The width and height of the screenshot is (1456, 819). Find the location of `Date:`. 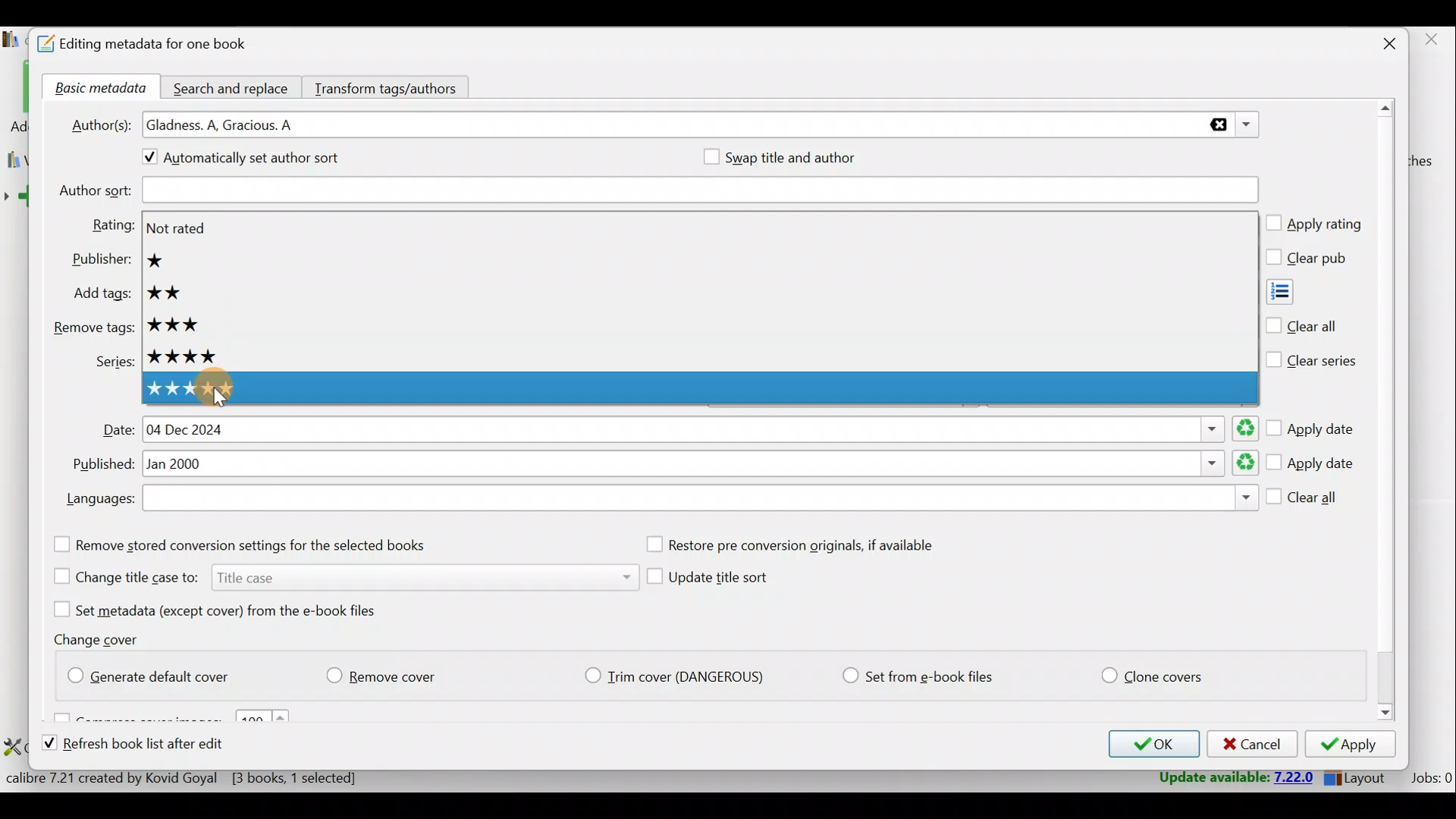

Date: is located at coordinates (119, 430).